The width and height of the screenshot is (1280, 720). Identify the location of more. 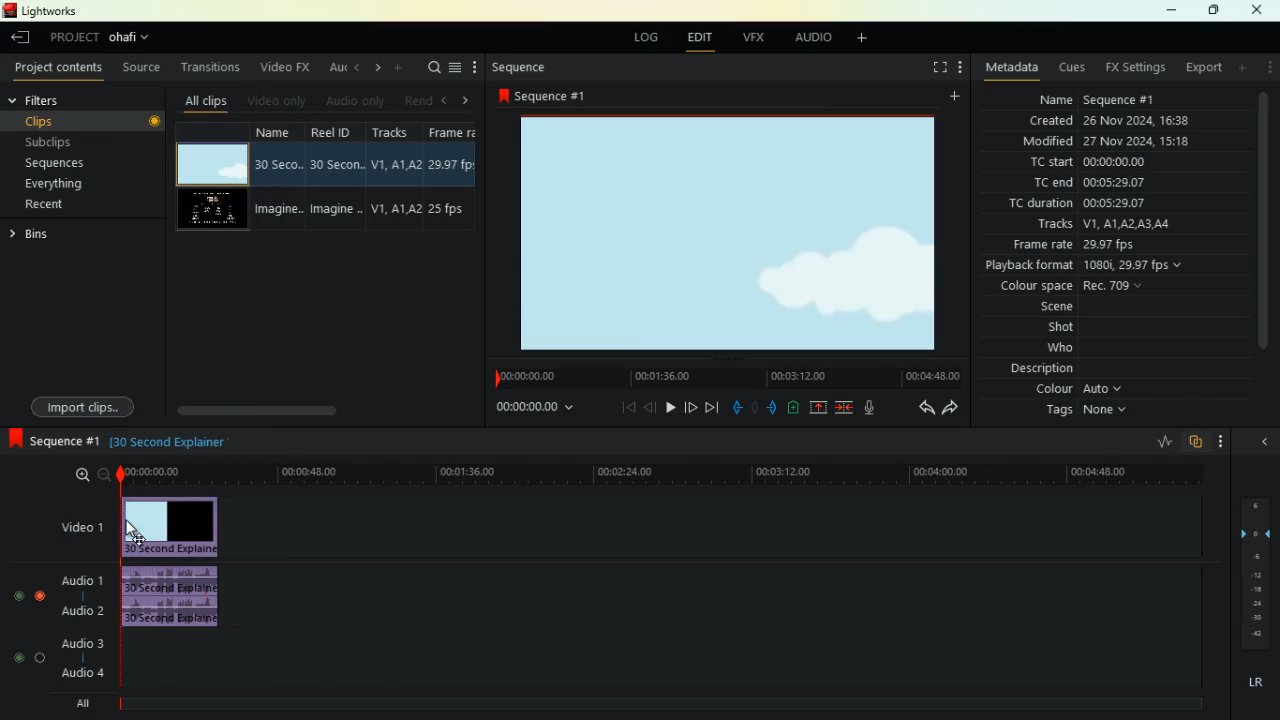
(1221, 441).